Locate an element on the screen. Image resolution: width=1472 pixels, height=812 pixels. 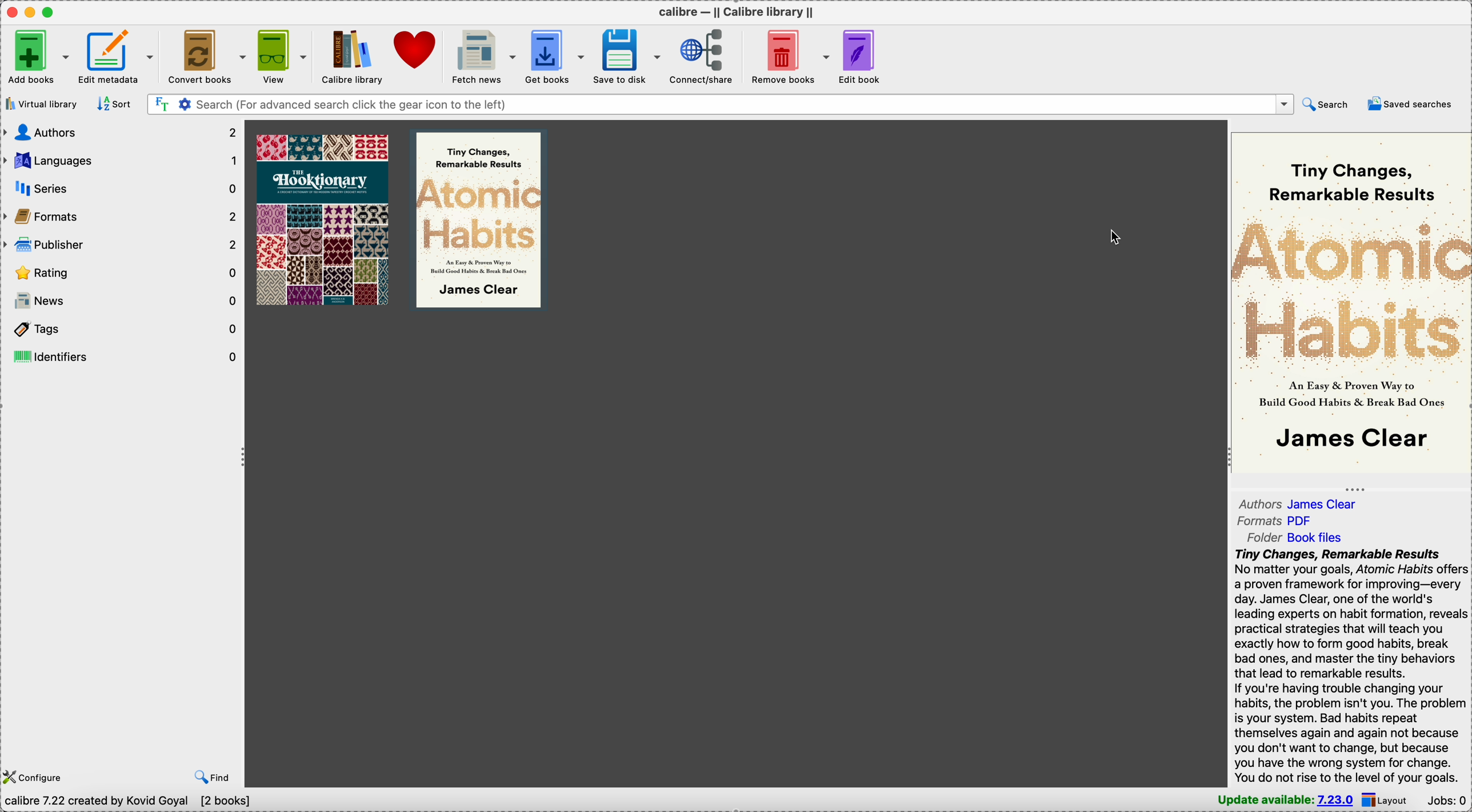
add books is located at coordinates (35, 57).